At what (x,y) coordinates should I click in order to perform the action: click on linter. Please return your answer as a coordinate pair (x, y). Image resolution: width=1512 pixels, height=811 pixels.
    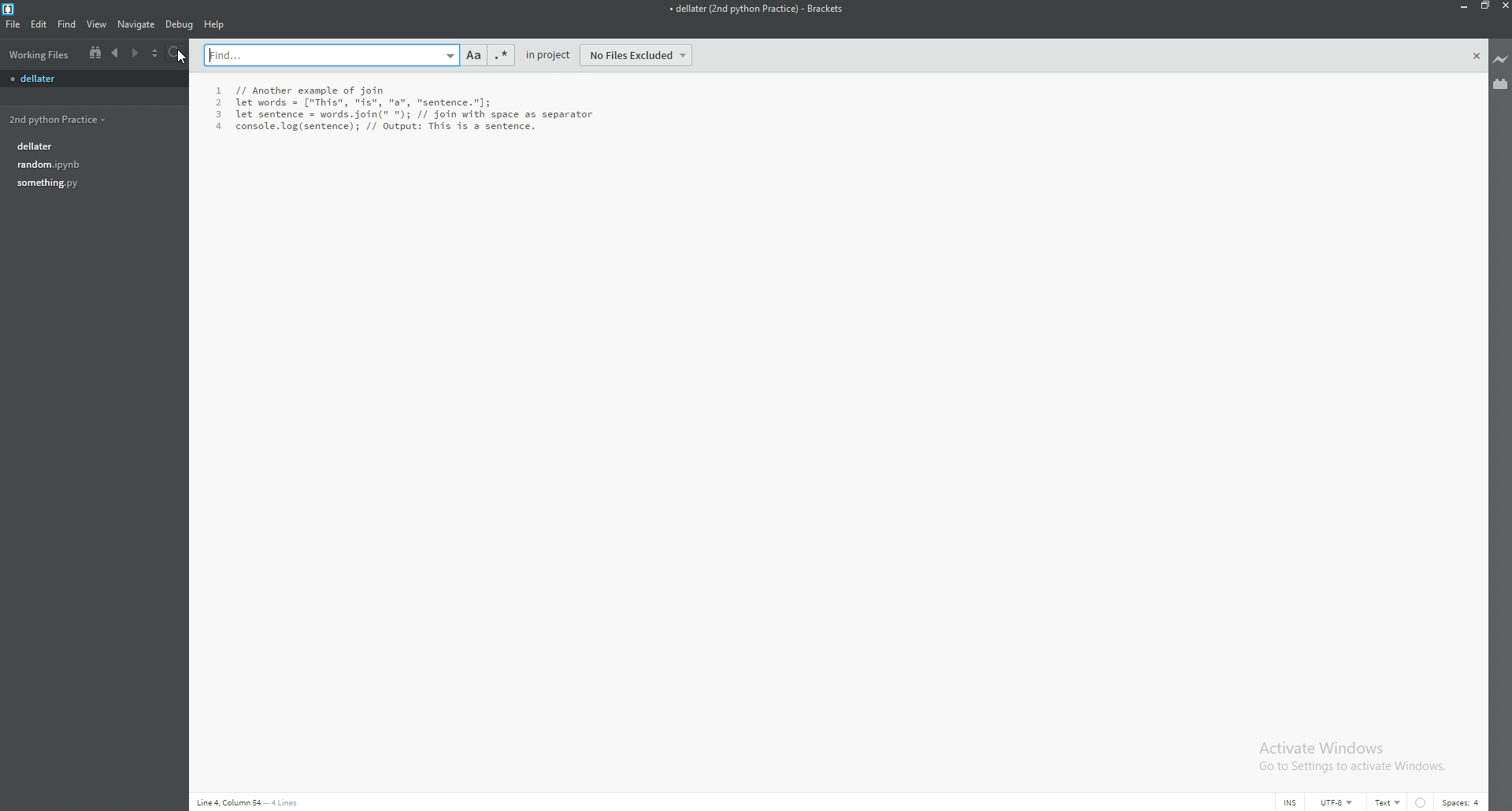
    Looking at the image, I should click on (1421, 802).